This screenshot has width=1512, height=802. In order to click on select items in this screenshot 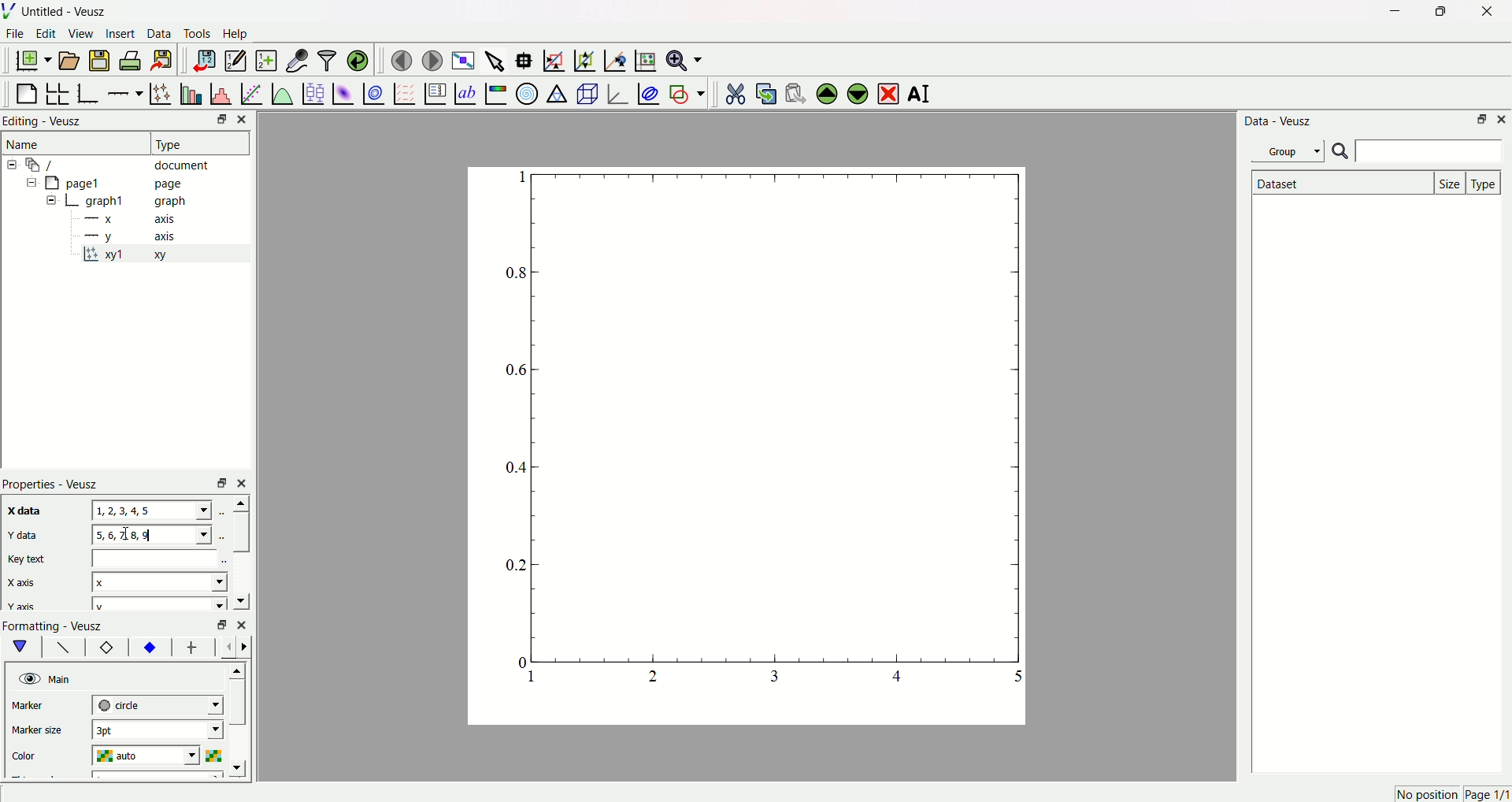, I will do `click(496, 58)`.